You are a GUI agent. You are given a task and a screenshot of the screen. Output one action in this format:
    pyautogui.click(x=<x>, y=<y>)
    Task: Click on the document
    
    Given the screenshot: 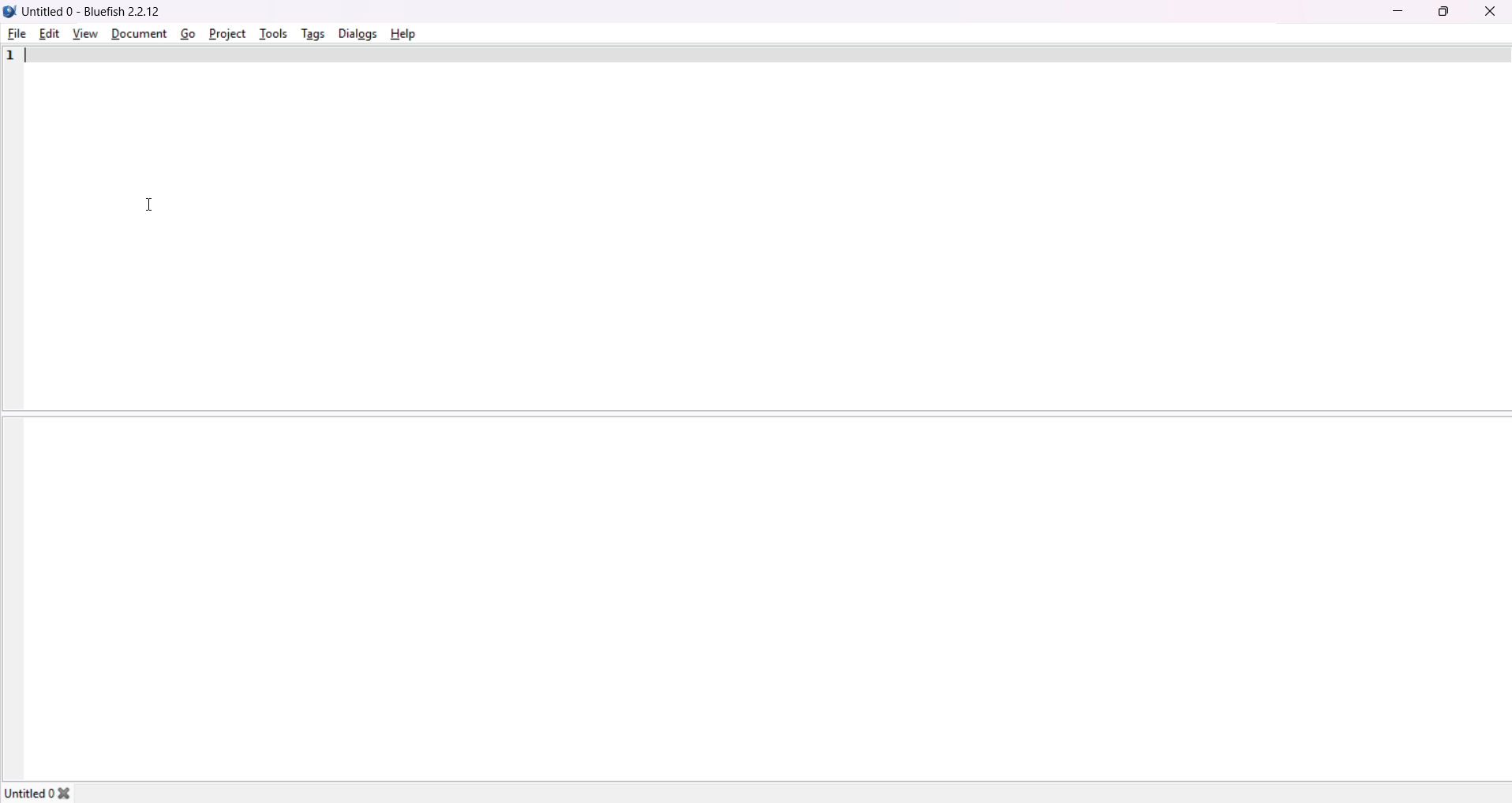 What is the action you would take?
    pyautogui.click(x=137, y=34)
    